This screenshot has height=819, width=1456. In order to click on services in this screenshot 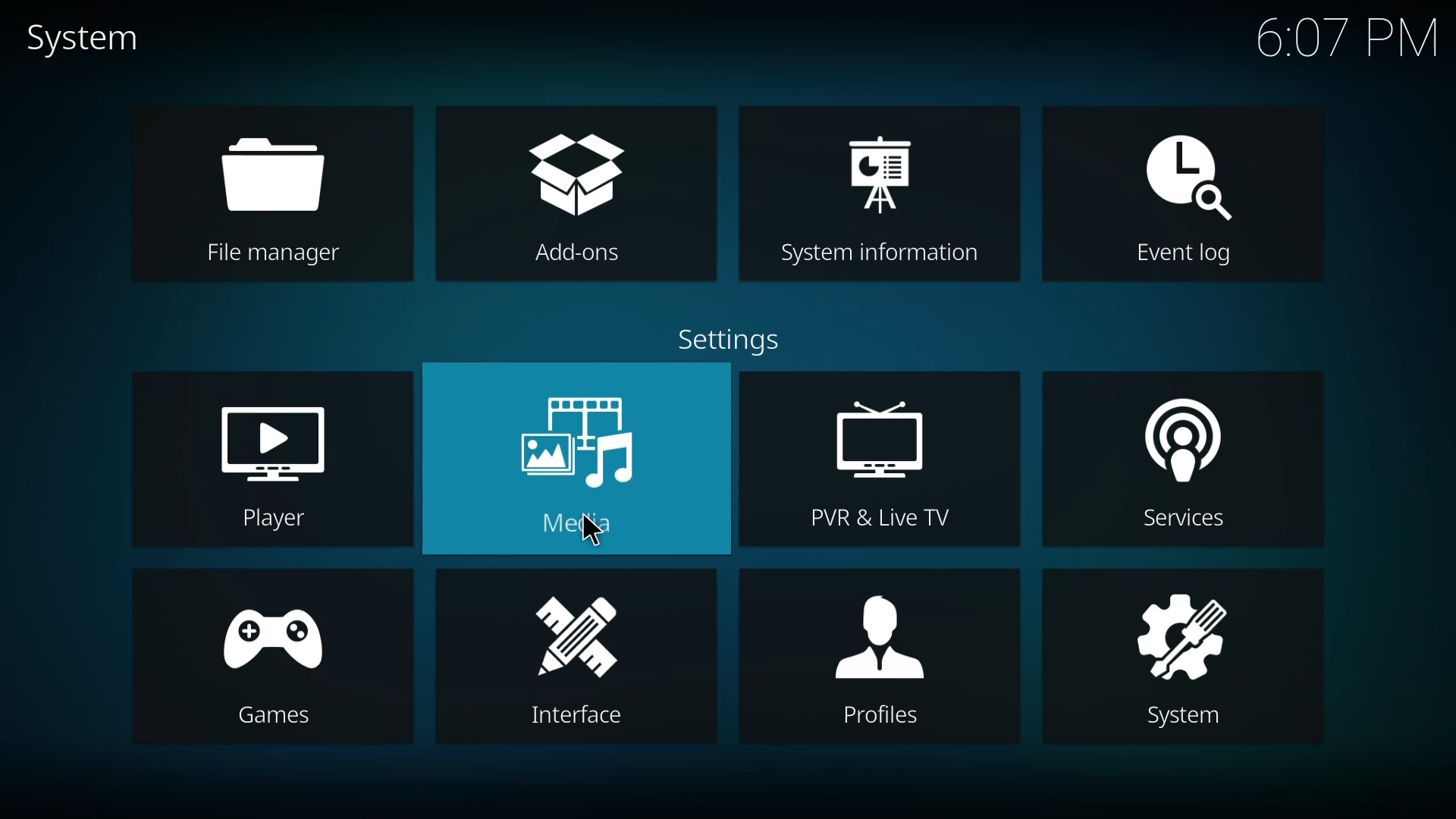, I will do `click(1174, 434)`.